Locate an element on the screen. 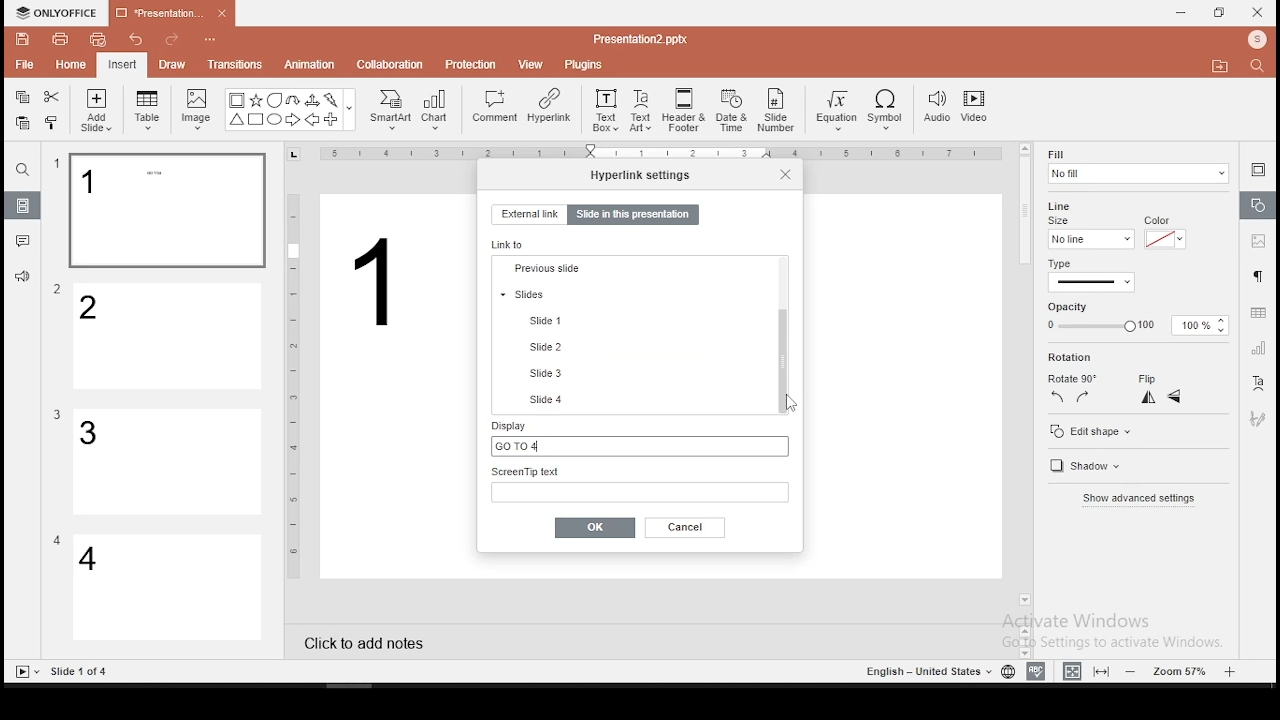 The image size is (1280, 720). shadow is located at coordinates (1082, 468).